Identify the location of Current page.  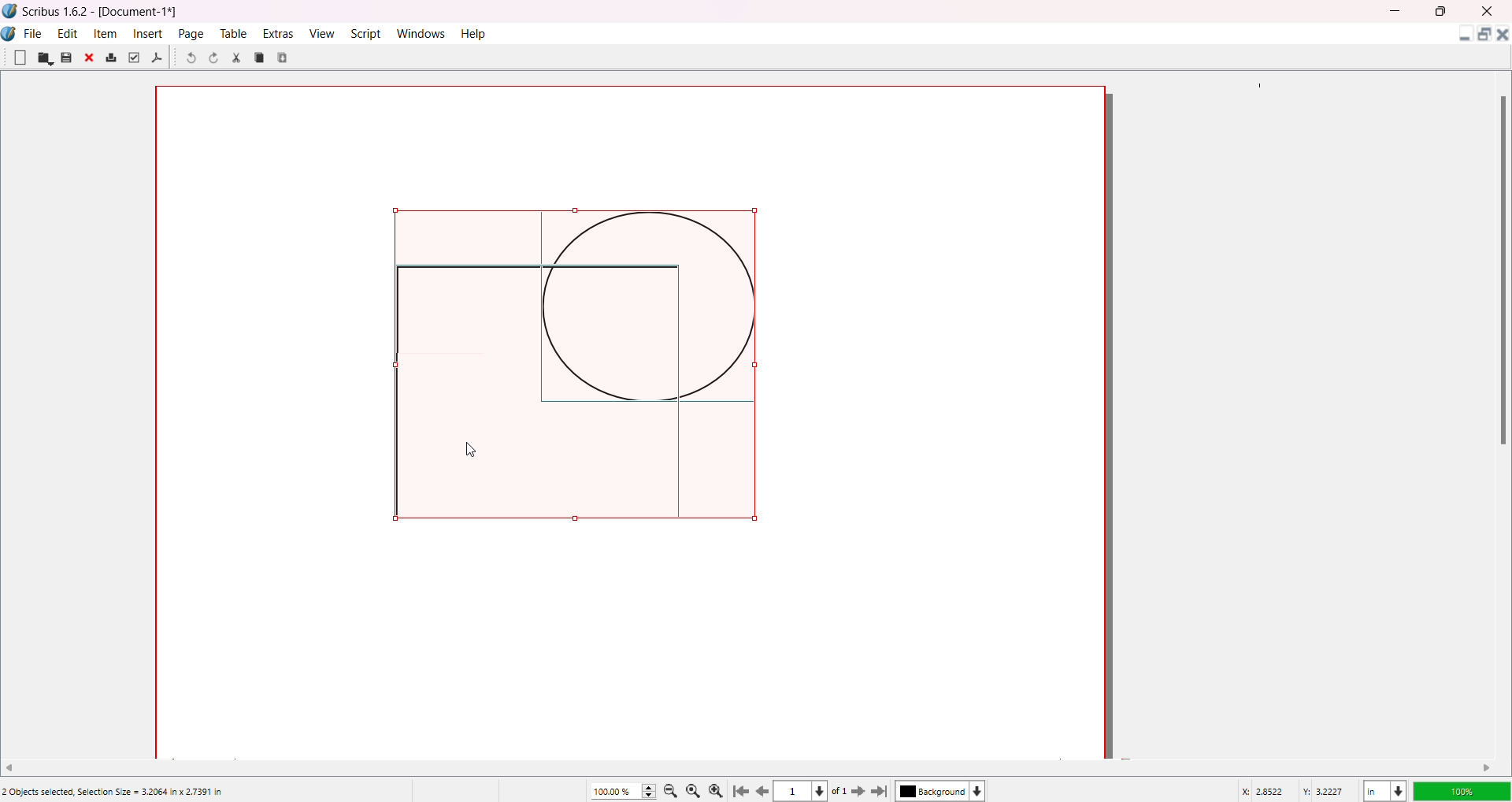
(795, 792).